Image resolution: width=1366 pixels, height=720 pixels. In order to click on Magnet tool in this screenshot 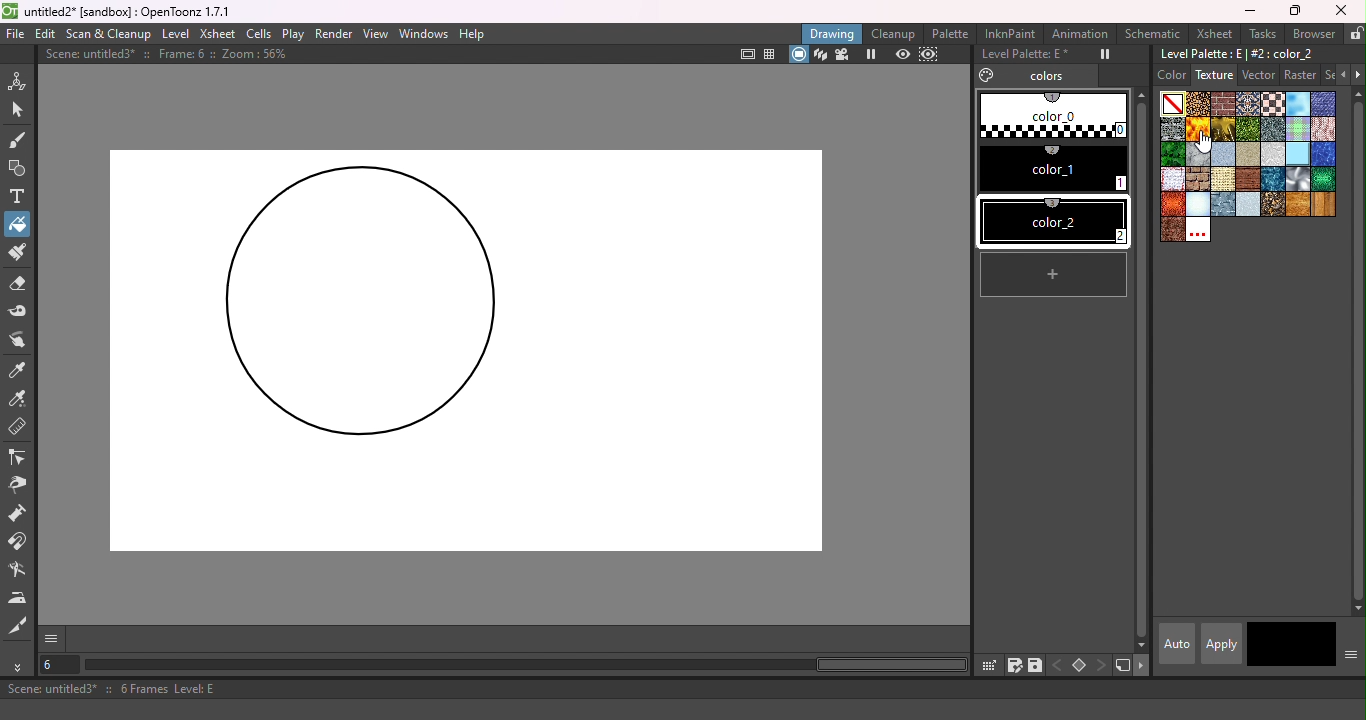, I will do `click(18, 543)`.